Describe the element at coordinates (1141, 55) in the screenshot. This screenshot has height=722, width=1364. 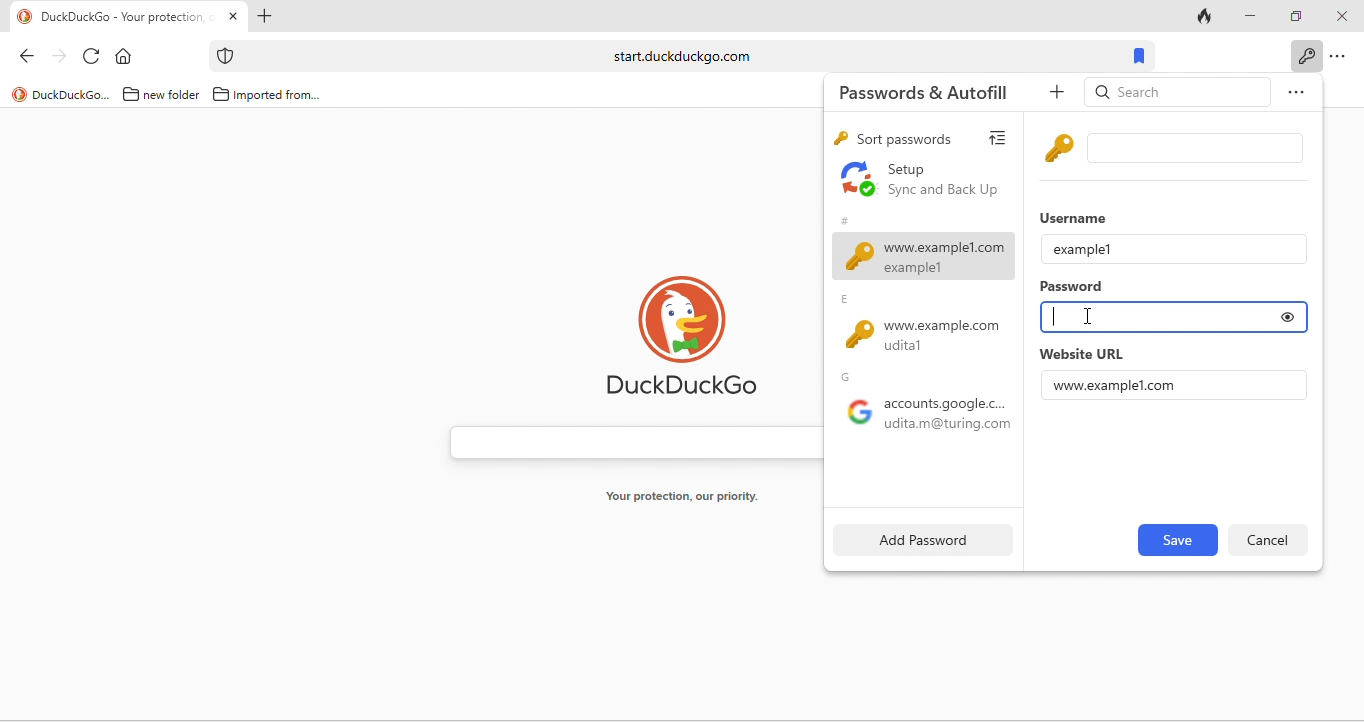
I see `bookmarks` at that location.